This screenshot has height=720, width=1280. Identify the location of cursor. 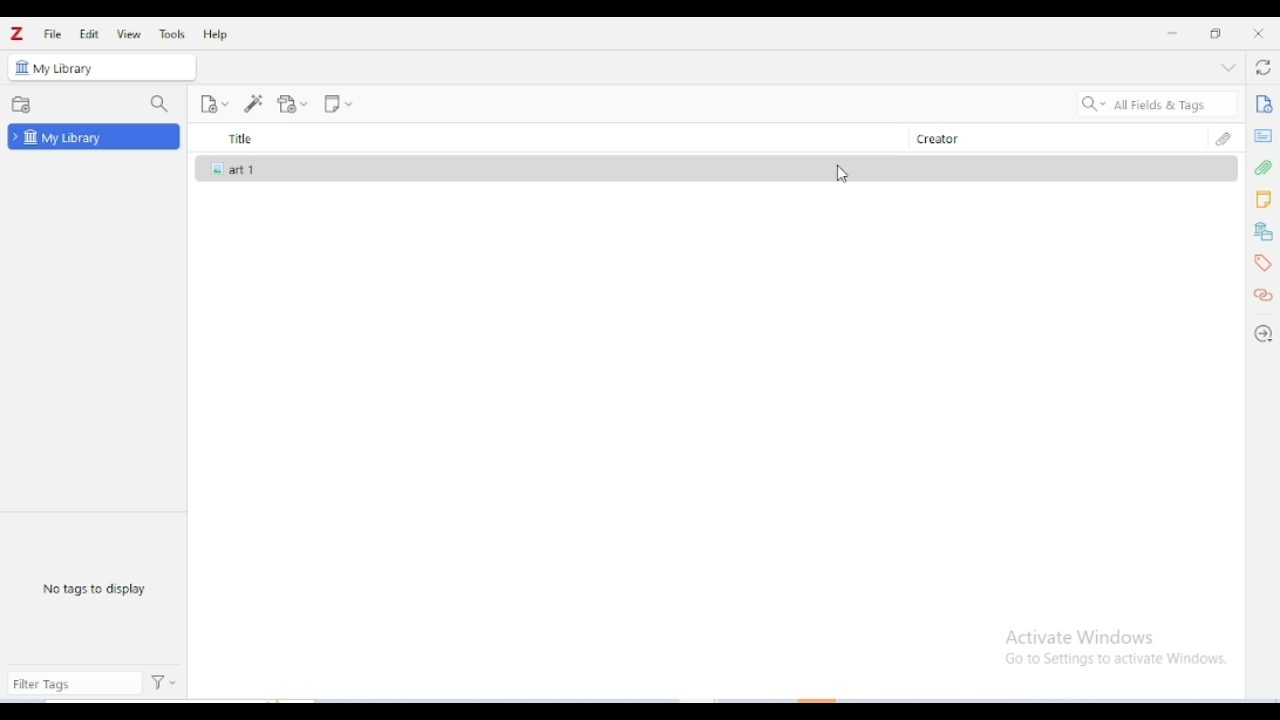
(842, 174).